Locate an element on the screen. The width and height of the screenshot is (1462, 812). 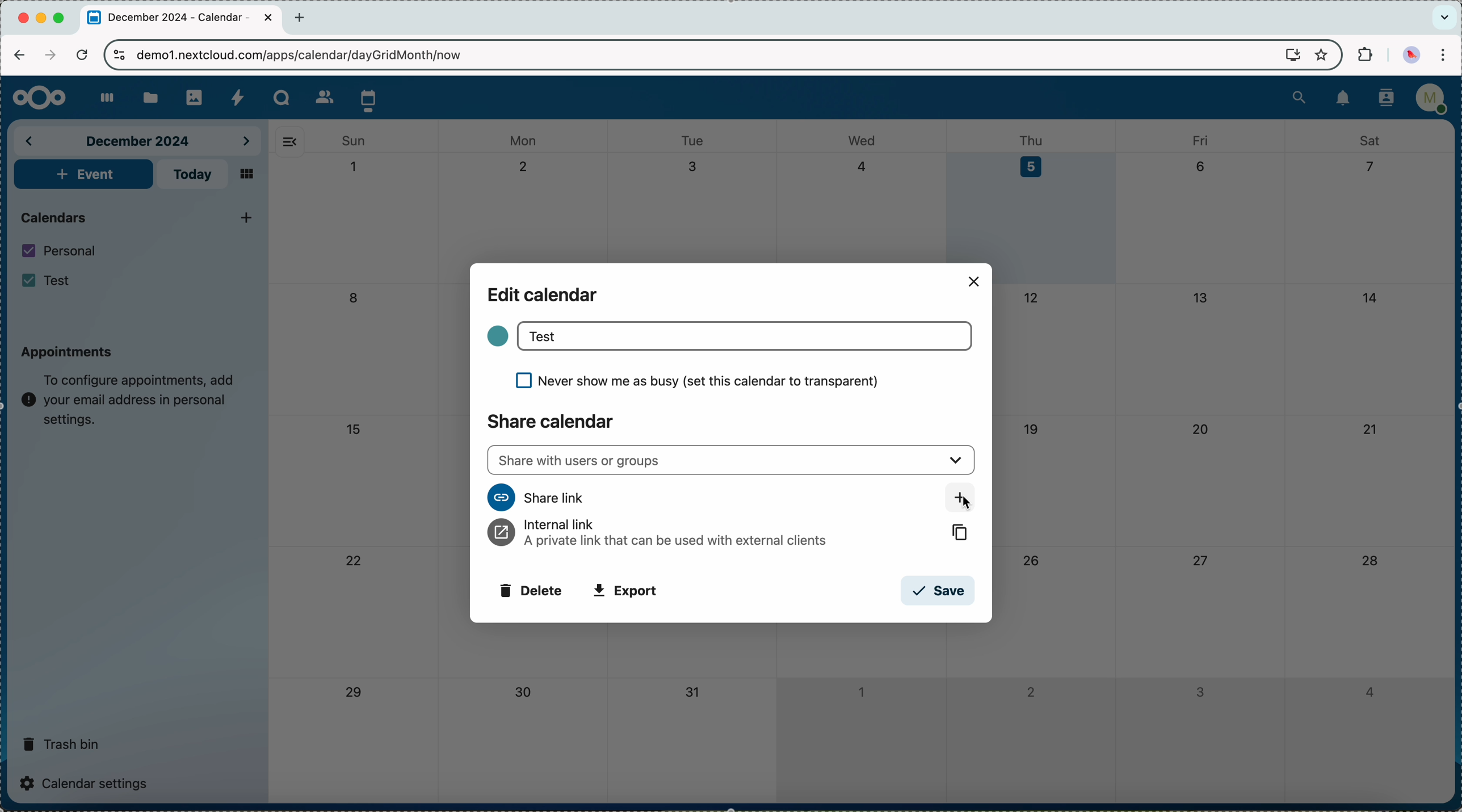
close popup is located at coordinates (975, 281).